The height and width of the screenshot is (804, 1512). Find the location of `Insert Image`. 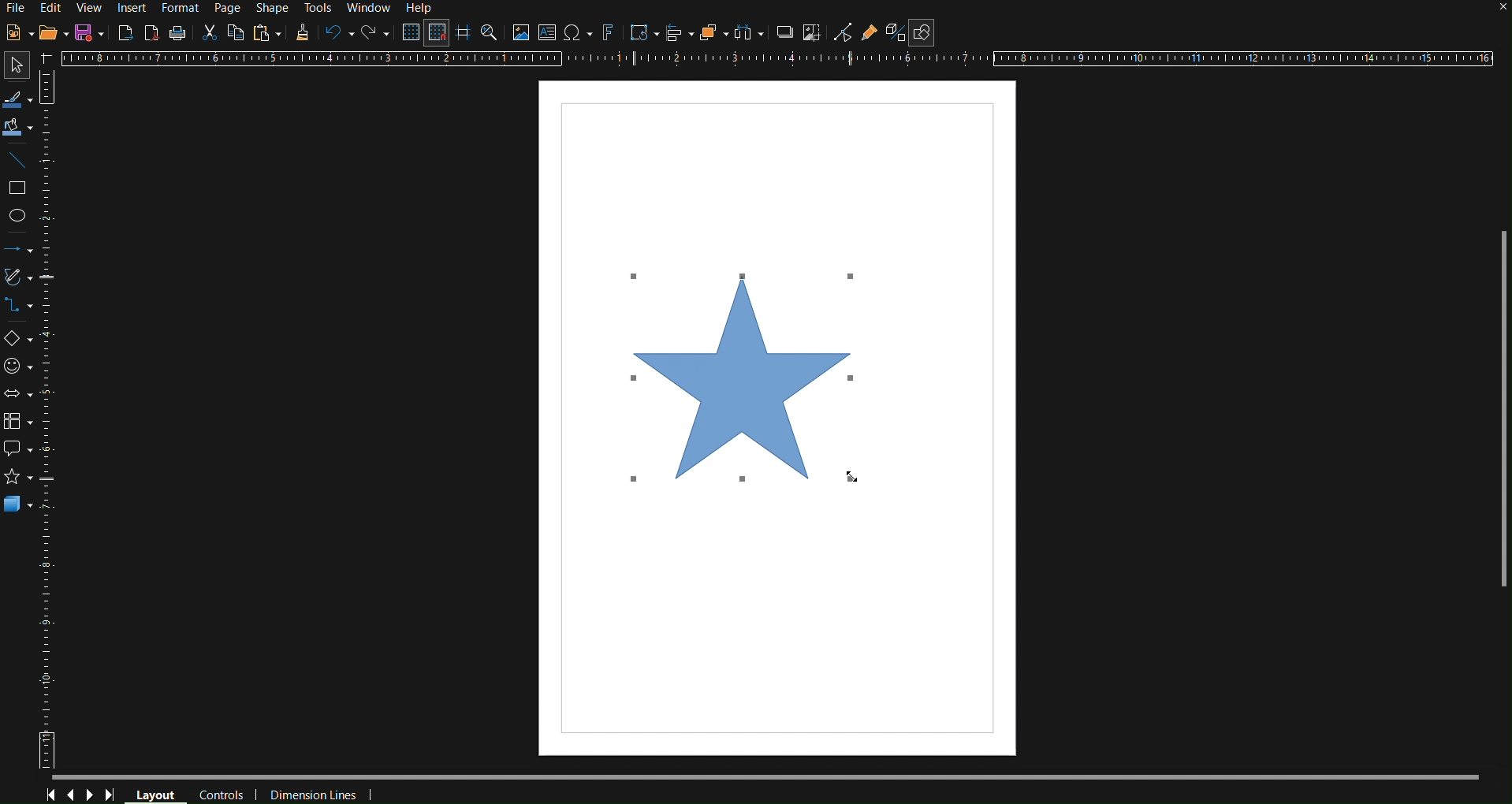

Insert Image is located at coordinates (521, 35).